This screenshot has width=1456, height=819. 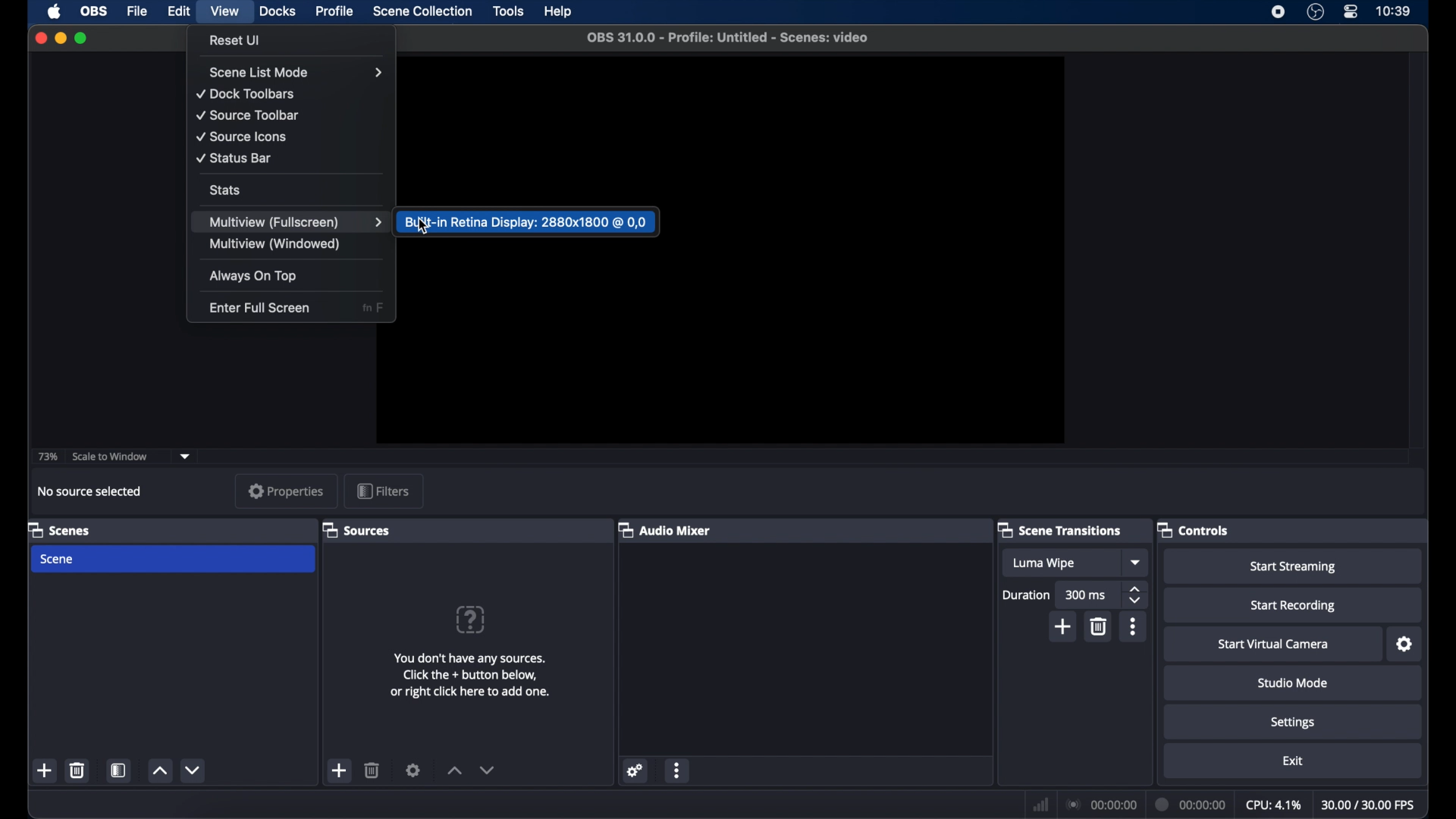 What do you see at coordinates (234, 158) in the screenshot?
I see `status bar` at bounding box center [234, 158].